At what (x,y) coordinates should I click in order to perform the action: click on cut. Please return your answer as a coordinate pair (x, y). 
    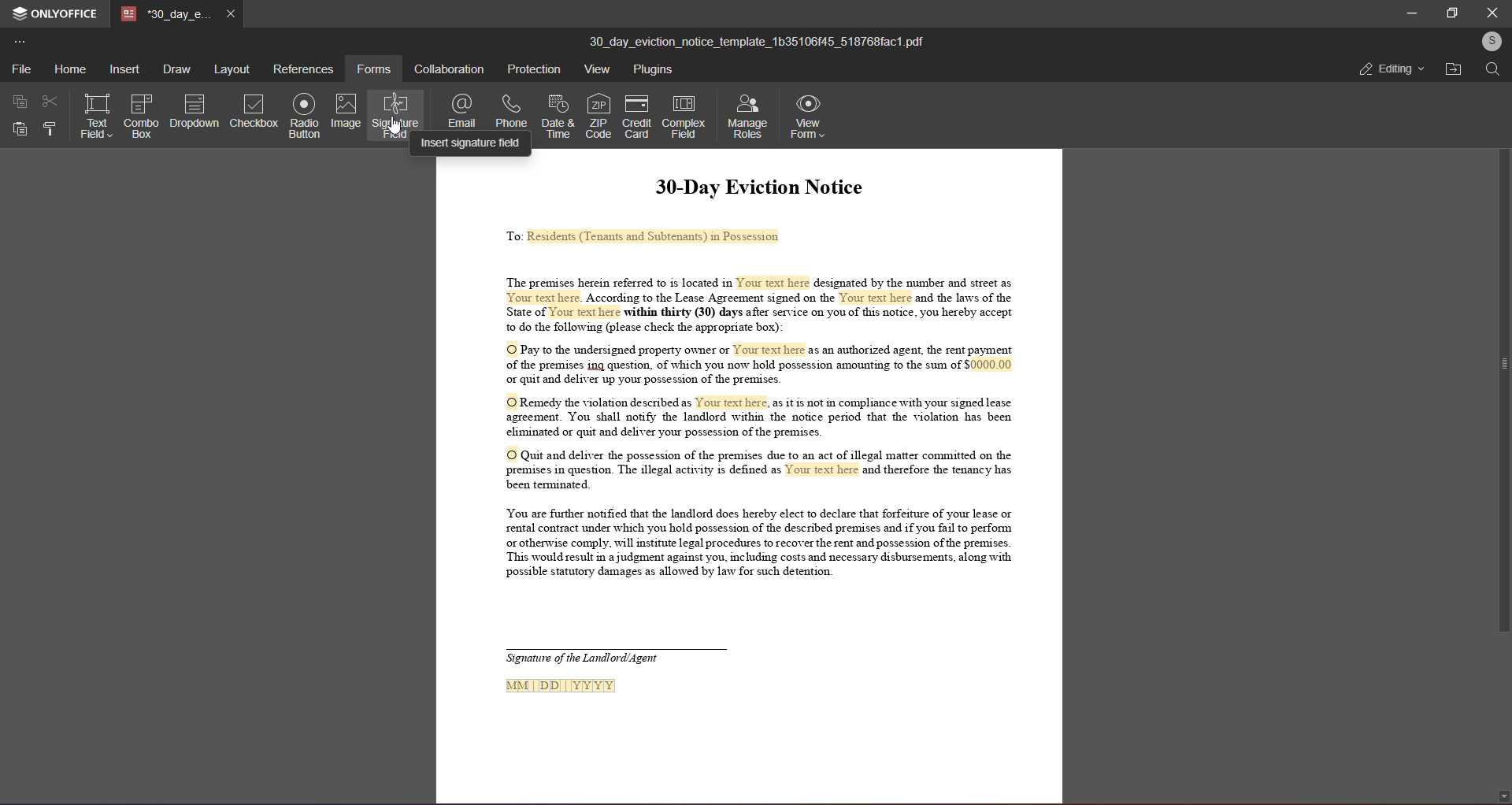
    Looking at the image, I should click on (50, 101).